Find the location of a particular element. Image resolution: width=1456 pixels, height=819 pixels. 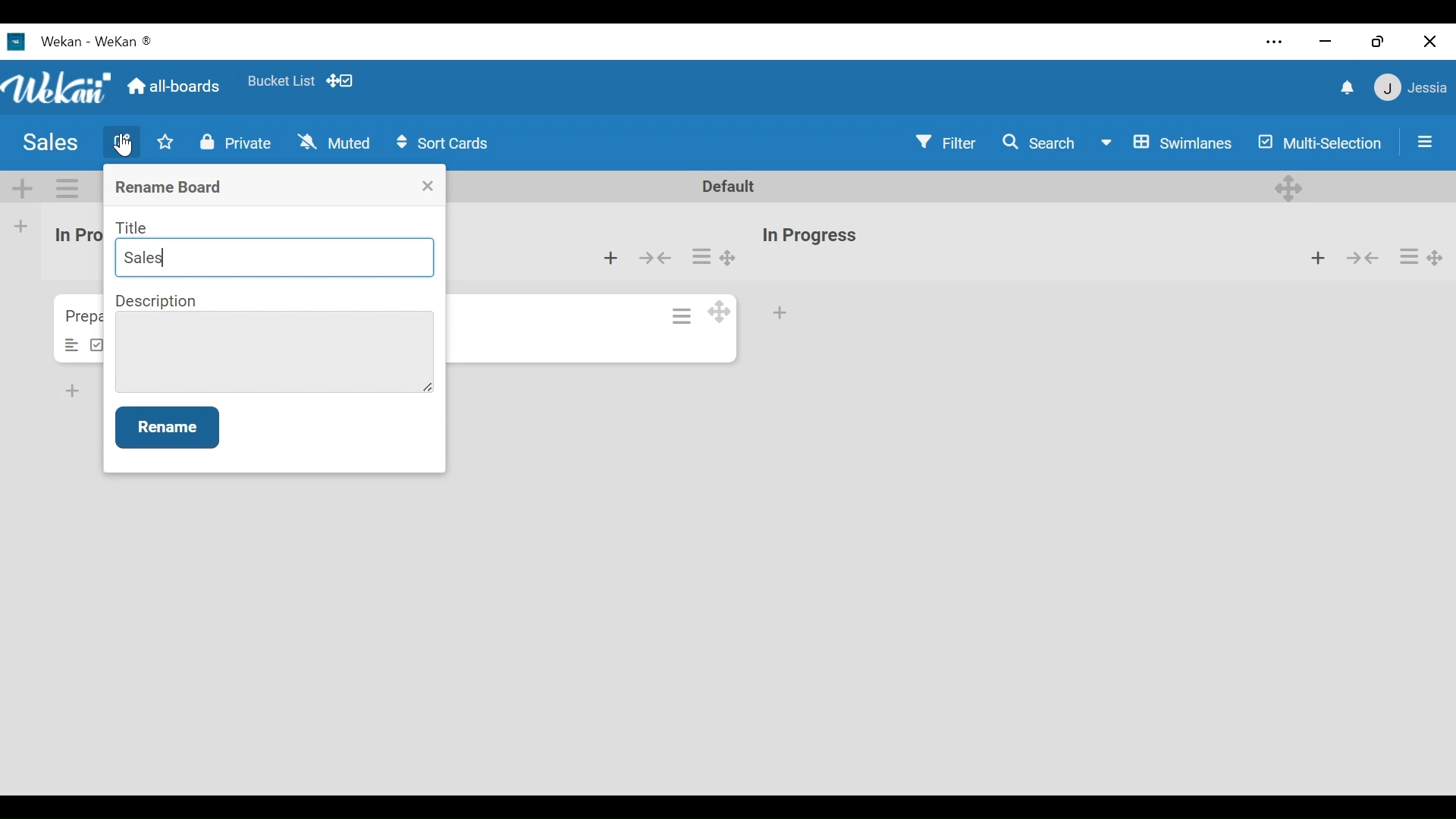

desktop drag handles is located at coordinates (1289, 188).